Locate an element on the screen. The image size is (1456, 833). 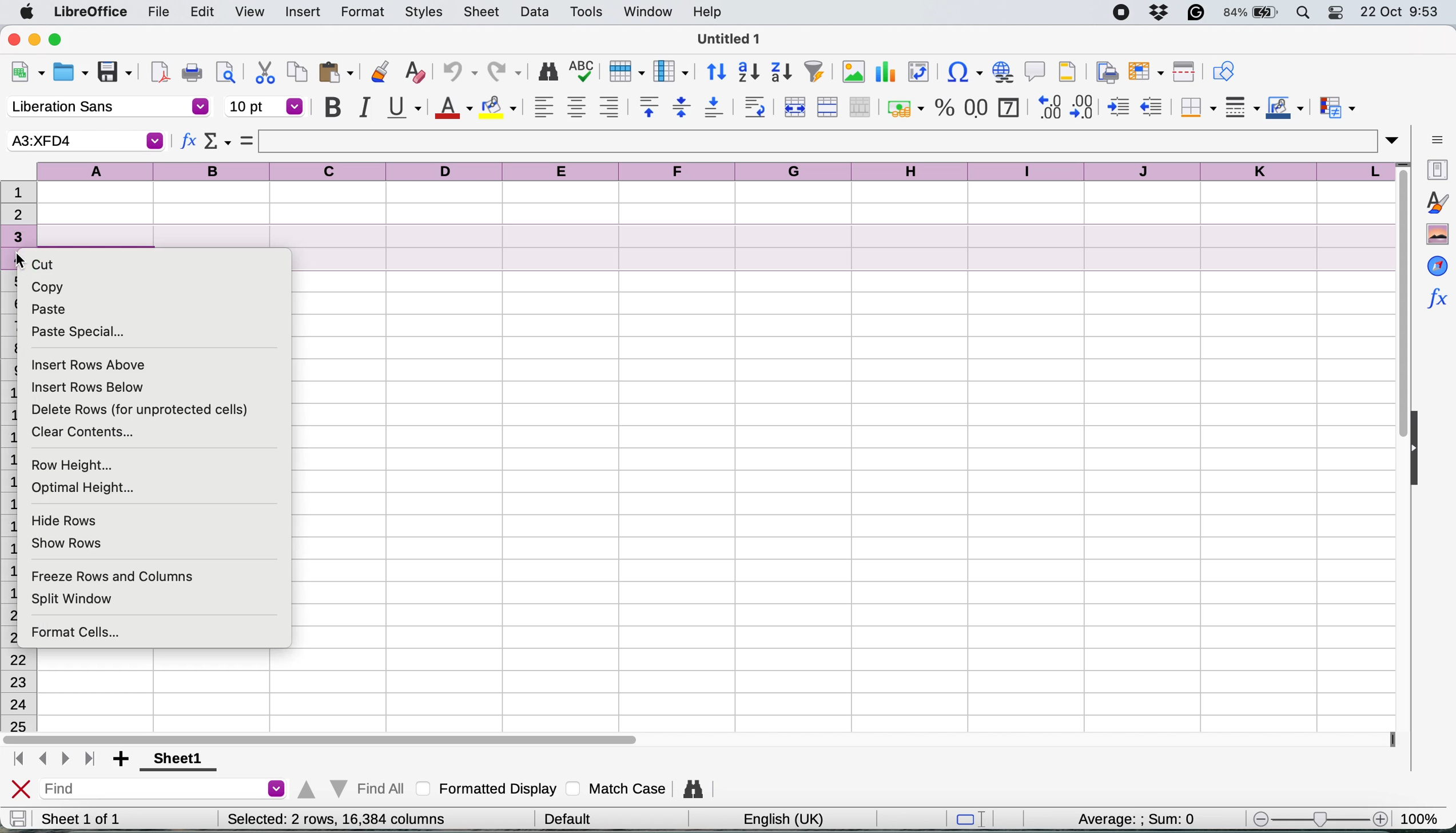
insert hyperlink is located at coordinates (960, 74).